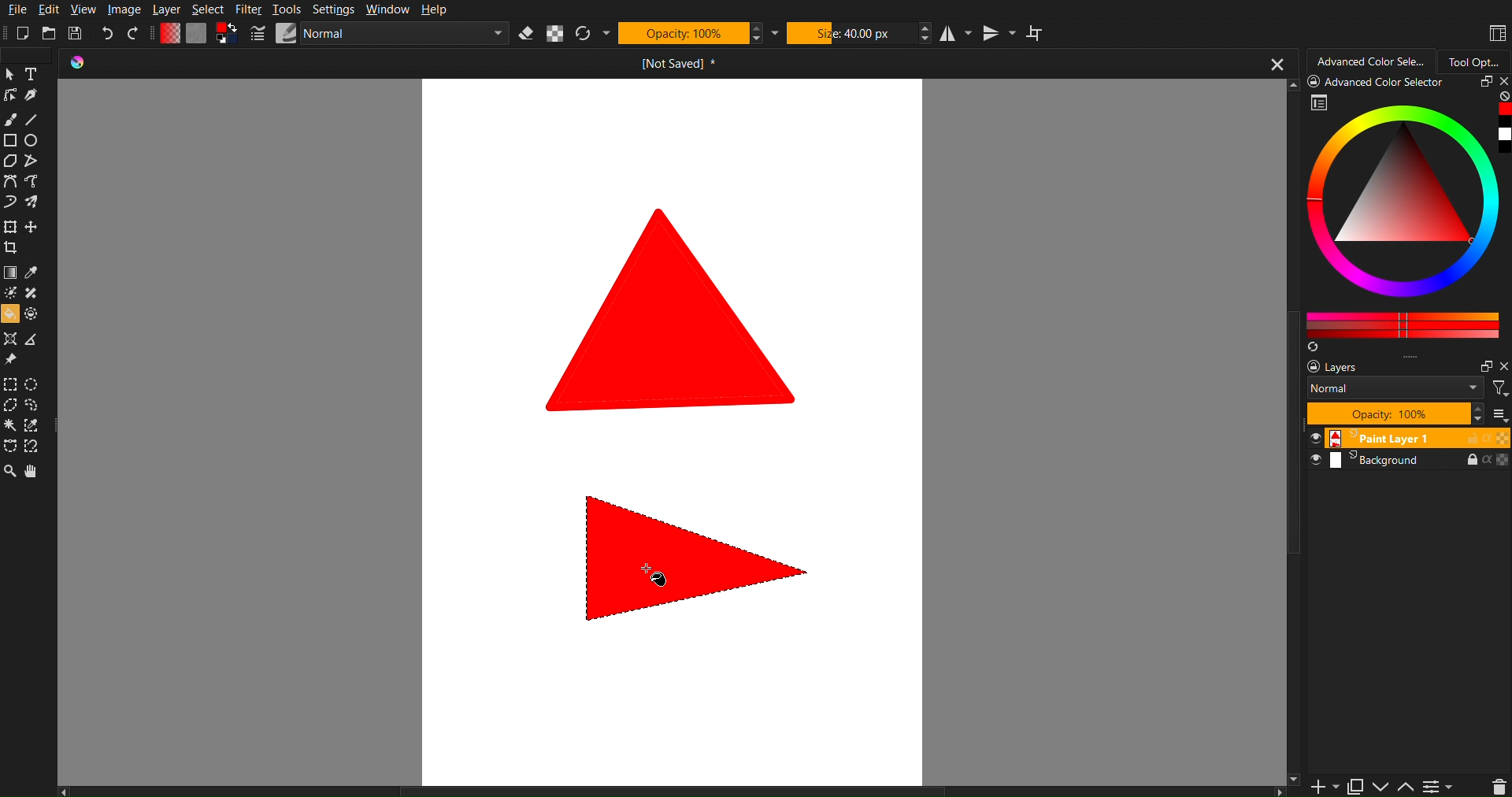 The width and height of the screenshot is (1512, 797). I want to click on Tools, so click(290, 11).